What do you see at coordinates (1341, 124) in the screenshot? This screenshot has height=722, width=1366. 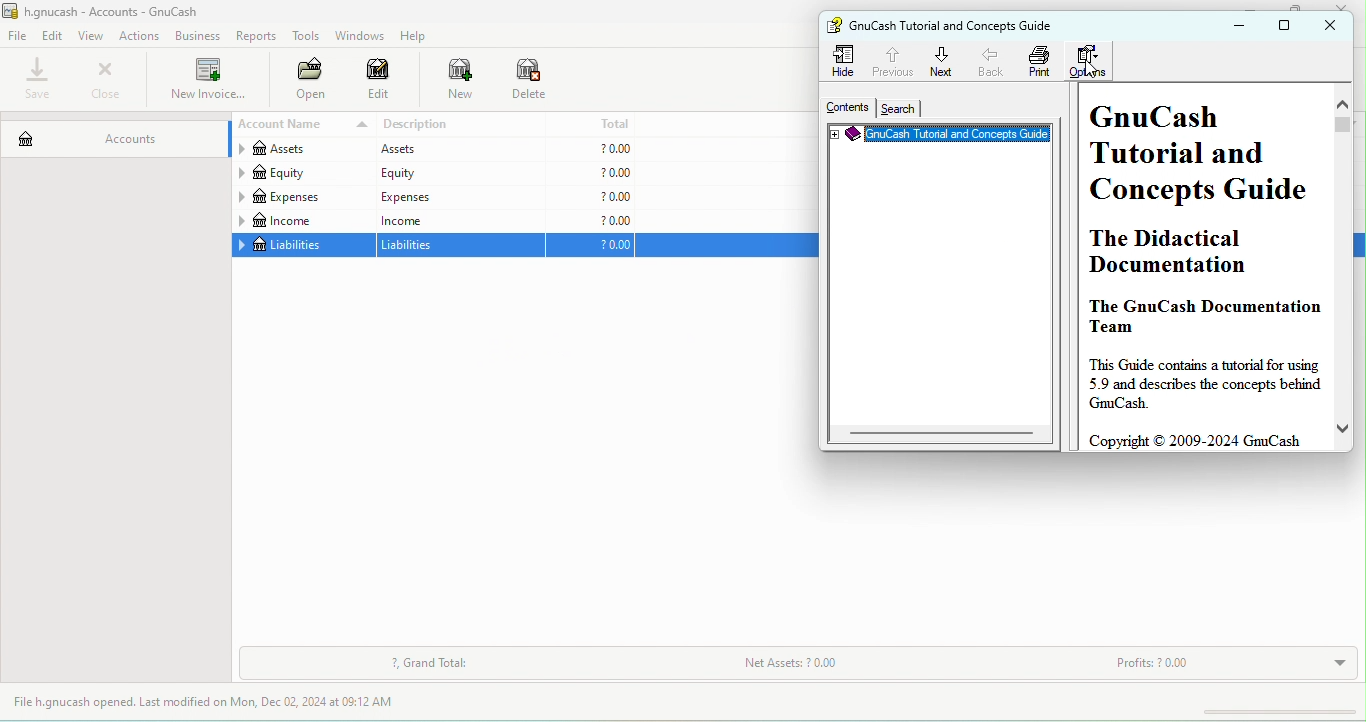 I see `vertical scroll bar` at bounding box center [1341, 124].